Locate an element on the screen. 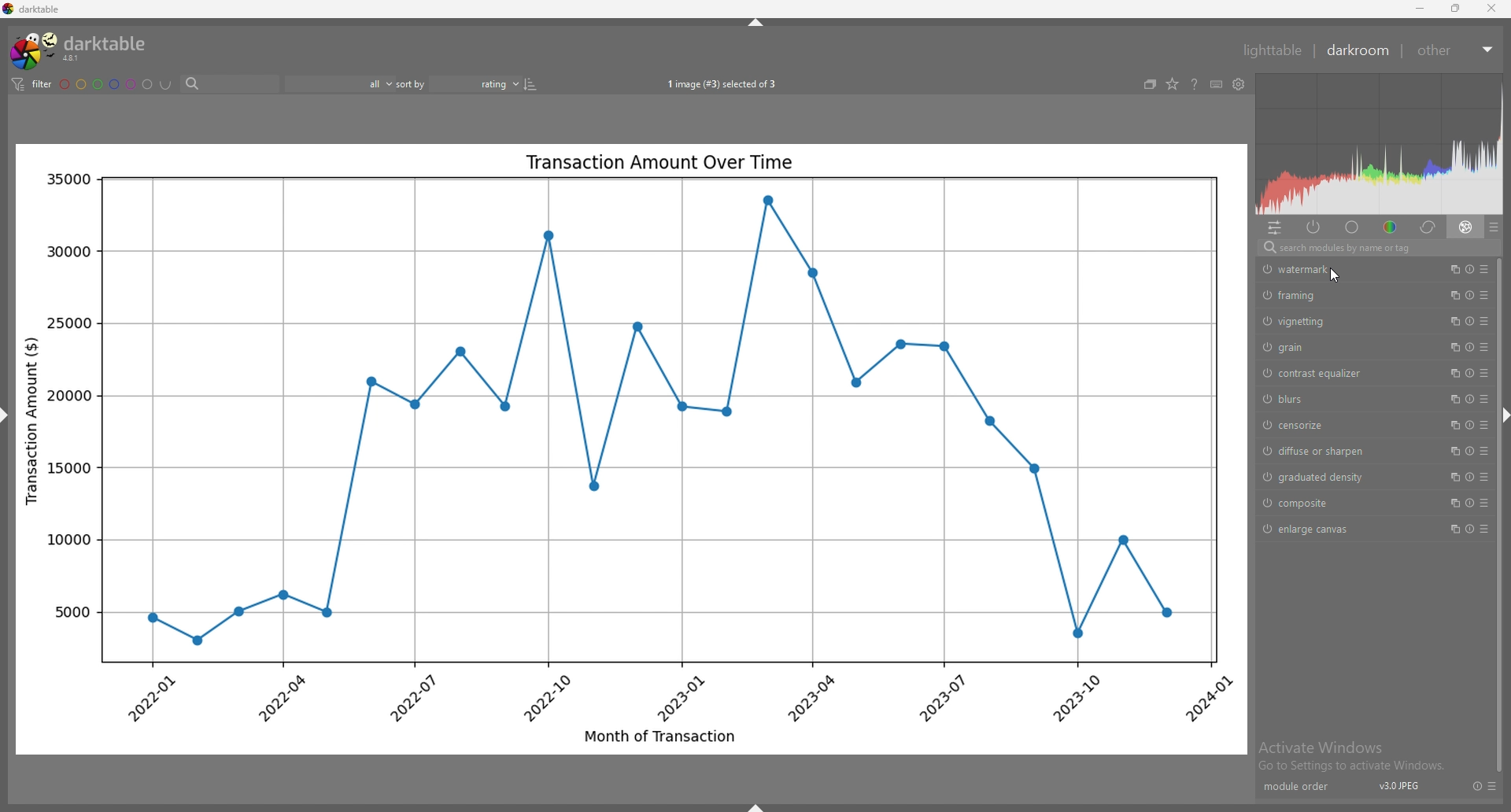  resize is located at coordinates (1454, 8).